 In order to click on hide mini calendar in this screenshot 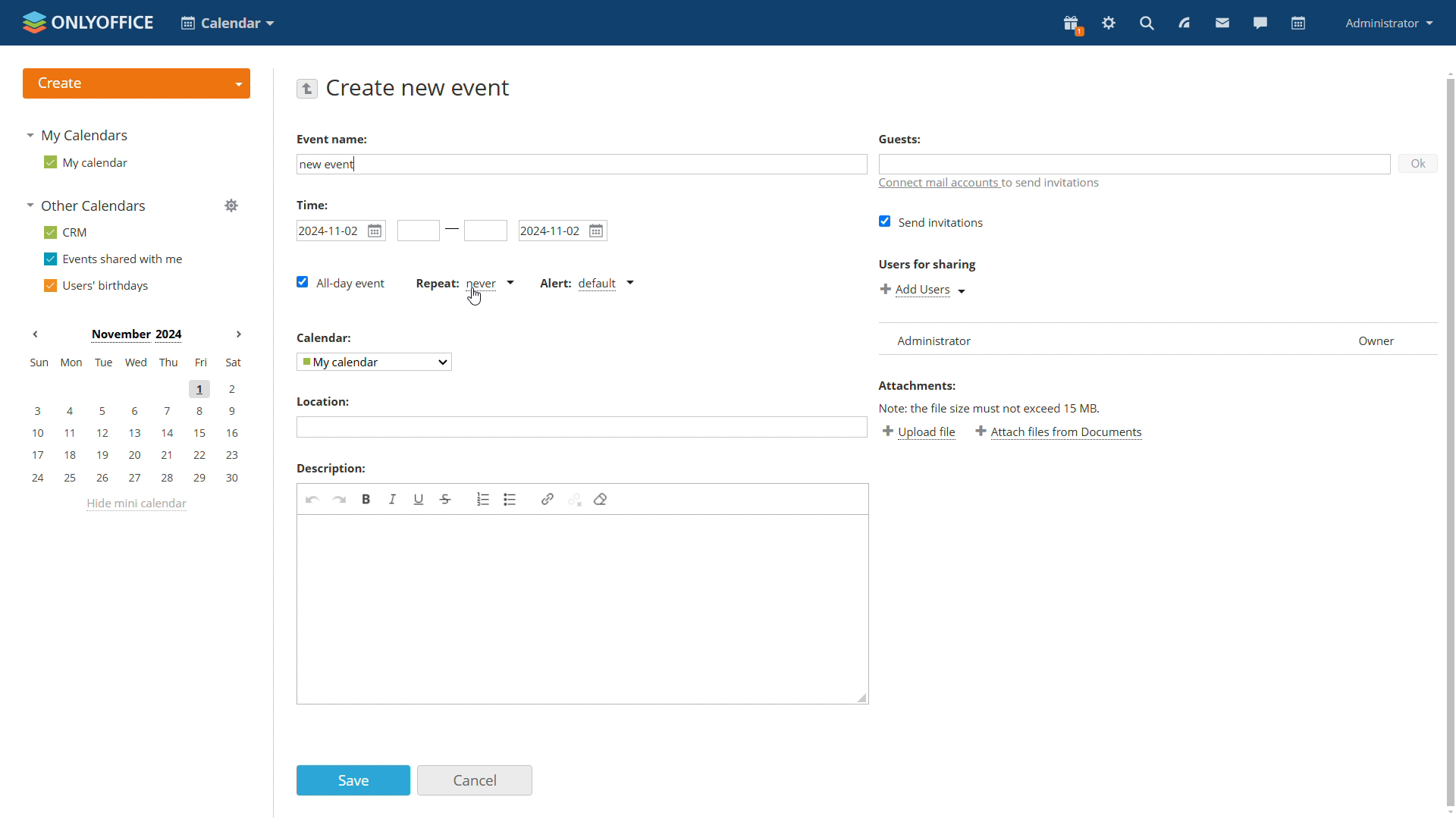, I will do `click(140, 505)`.